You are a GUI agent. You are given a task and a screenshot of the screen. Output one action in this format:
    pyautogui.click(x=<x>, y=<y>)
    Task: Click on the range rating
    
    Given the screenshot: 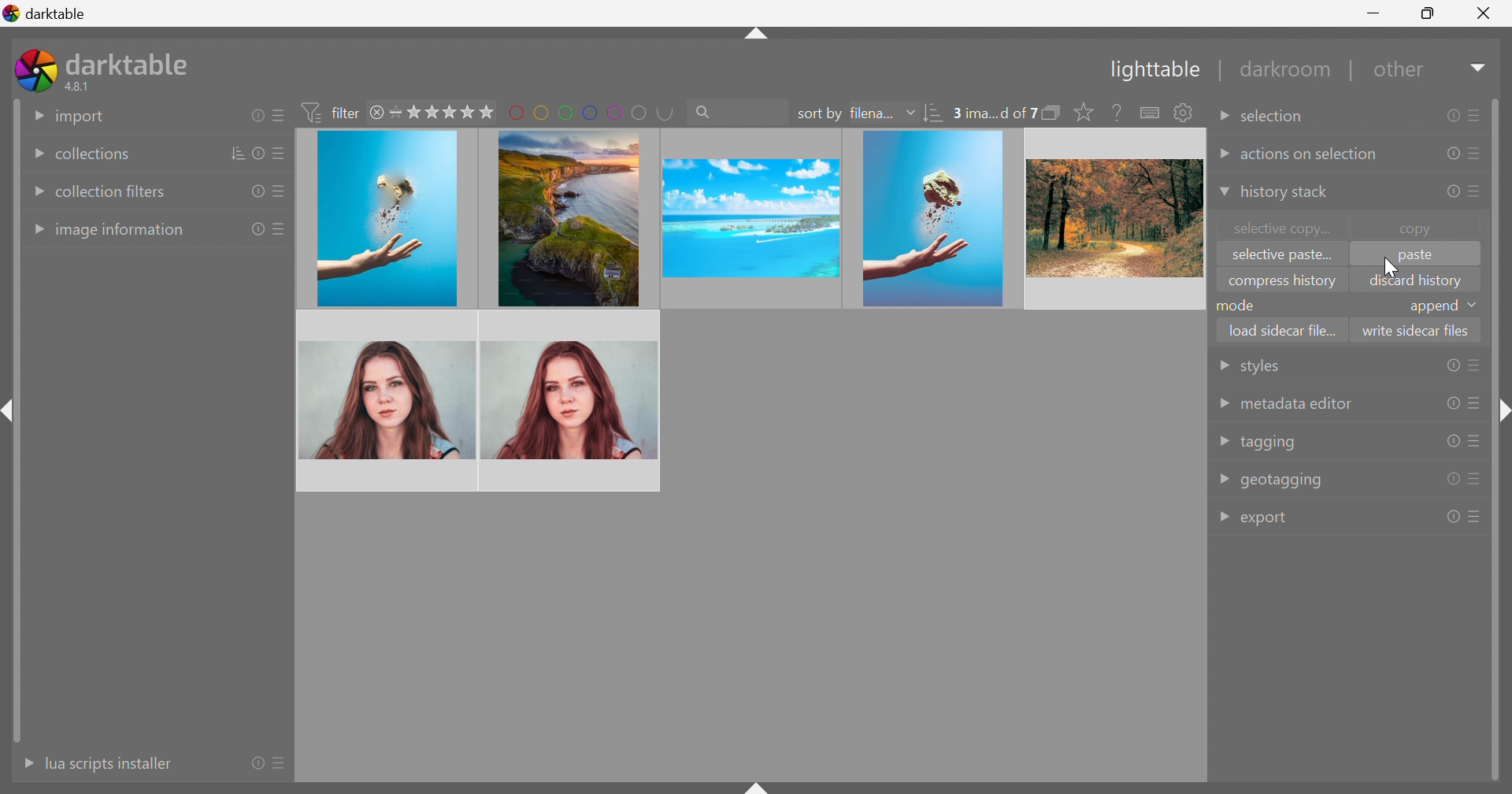 What is the action you would take?
    pyautogui.click(x=443, y=112)
    